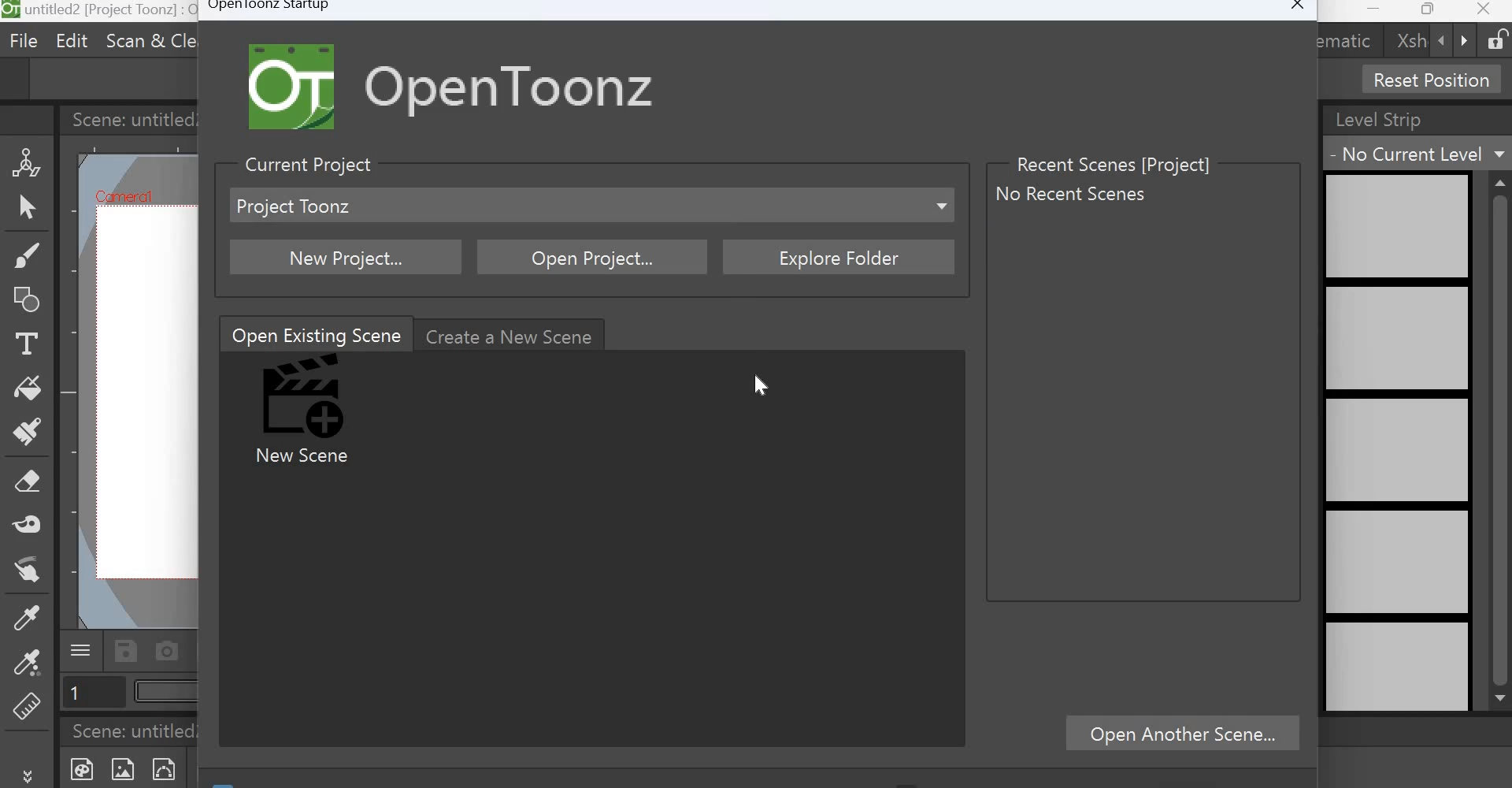 Image resolution: width=1512 pixels, height=788 pixels. I want to click on Capture, so click(169, 650).